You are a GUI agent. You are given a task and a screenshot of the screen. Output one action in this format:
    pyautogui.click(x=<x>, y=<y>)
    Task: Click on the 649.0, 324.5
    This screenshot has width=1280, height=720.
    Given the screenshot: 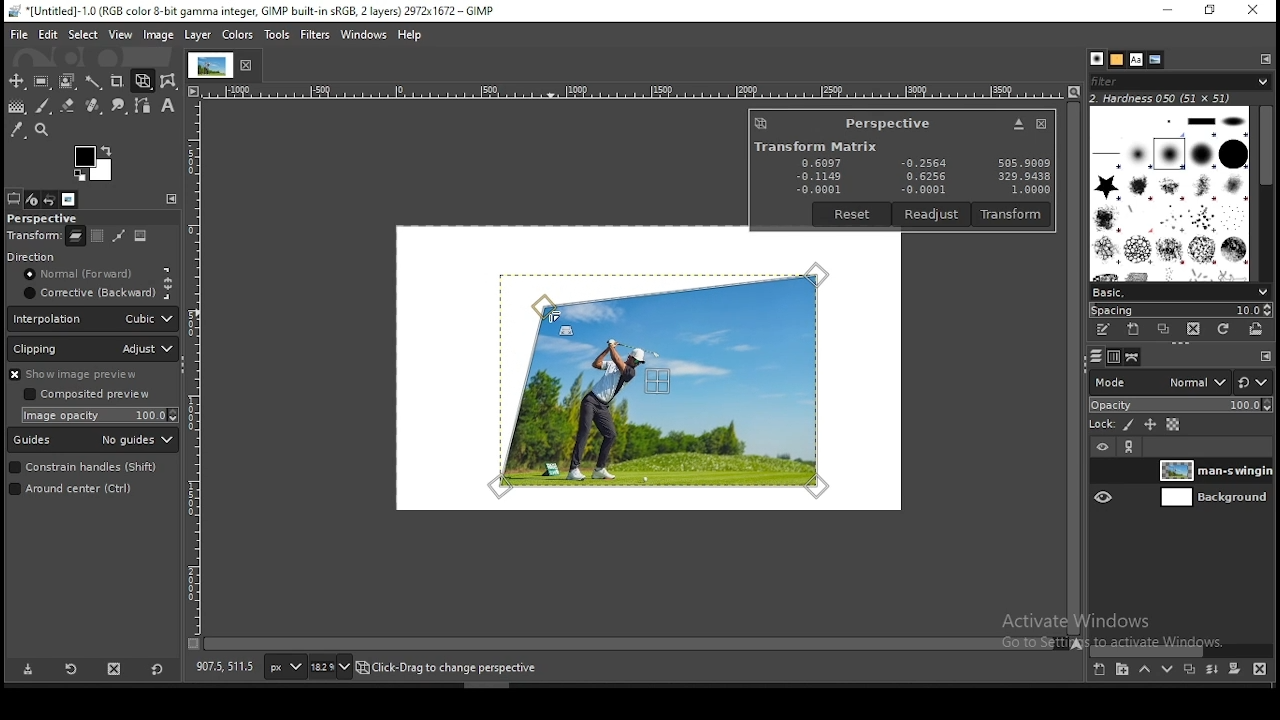 What is the action you would take?
    pyautogui.click(x=224, y=668)
    